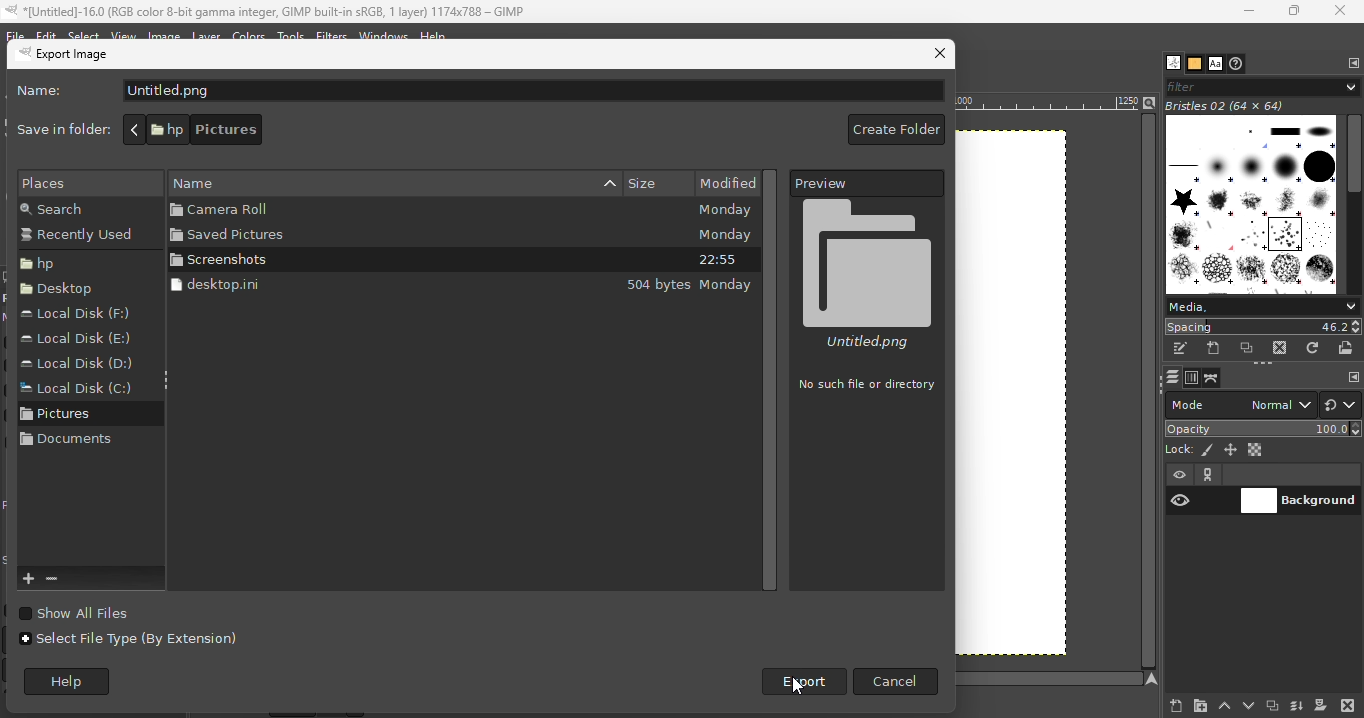 This screenshot has height=718, width=1364. I want to click on Save in folder, so click(59, 129).